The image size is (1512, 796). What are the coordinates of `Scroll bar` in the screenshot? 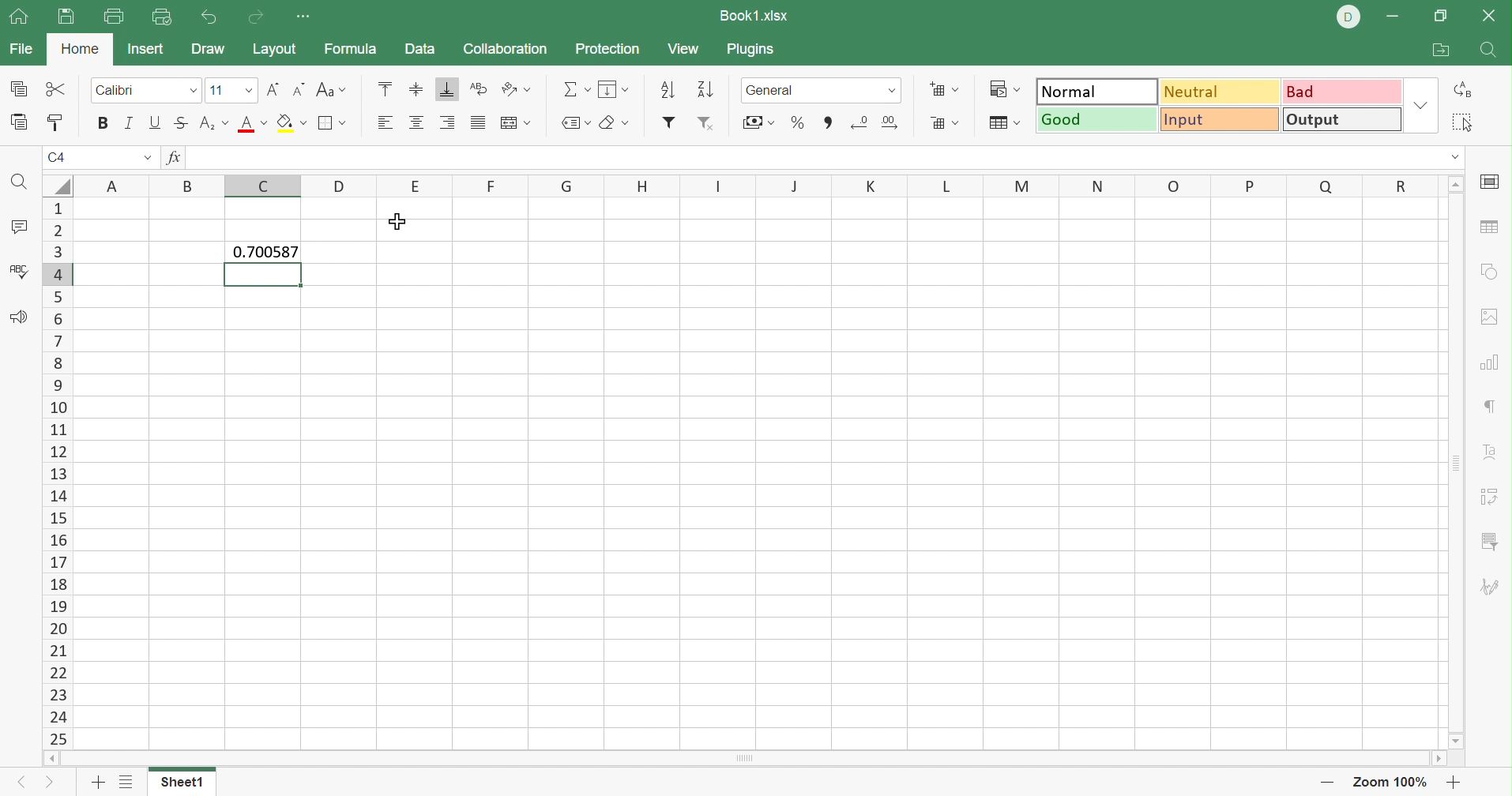 It's located at (1453, 464).